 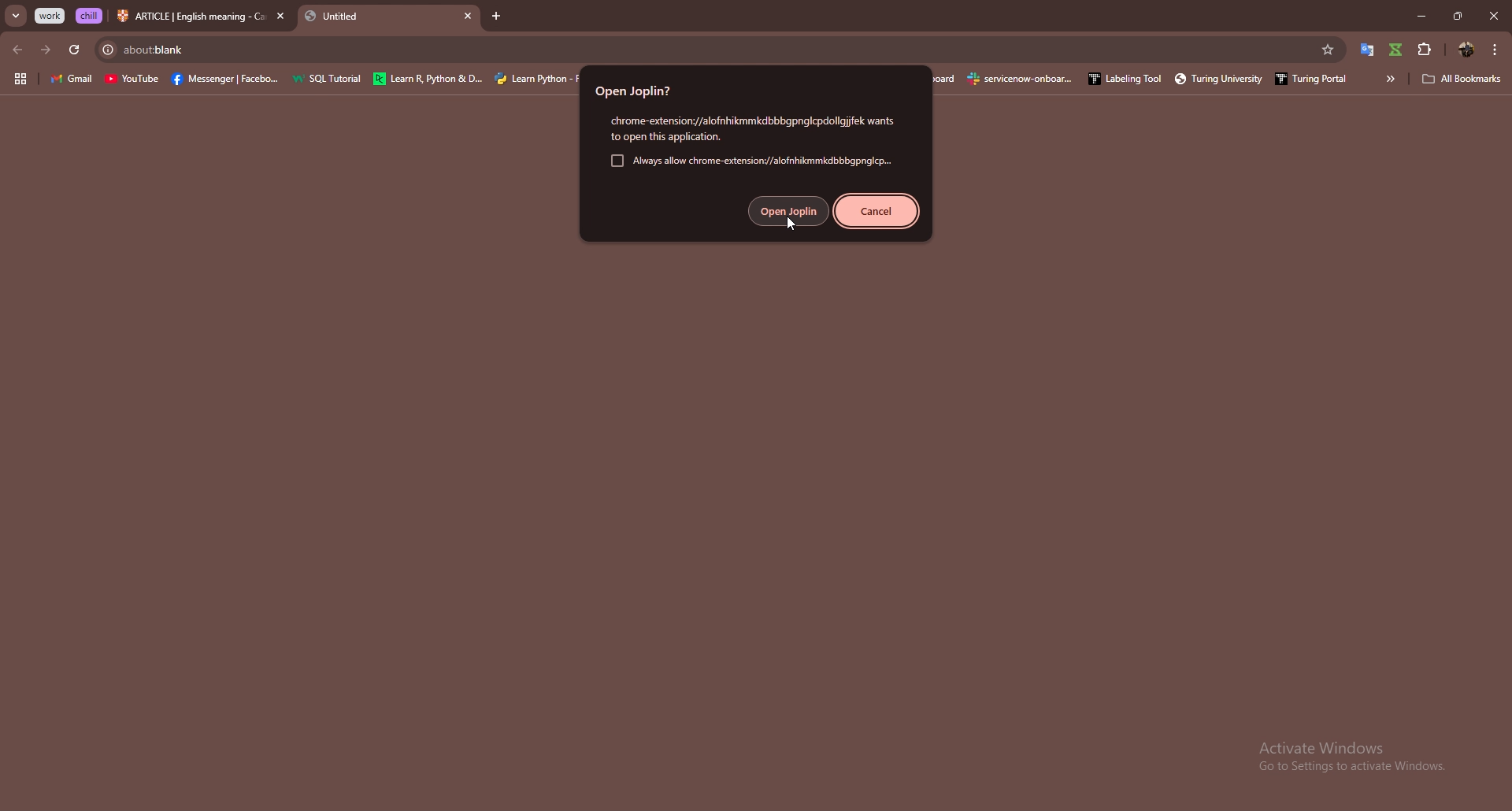 What do you see at coordinates (791, 221) in the screenshot?
I see `CUrsor` at bounding box center [791, 221].